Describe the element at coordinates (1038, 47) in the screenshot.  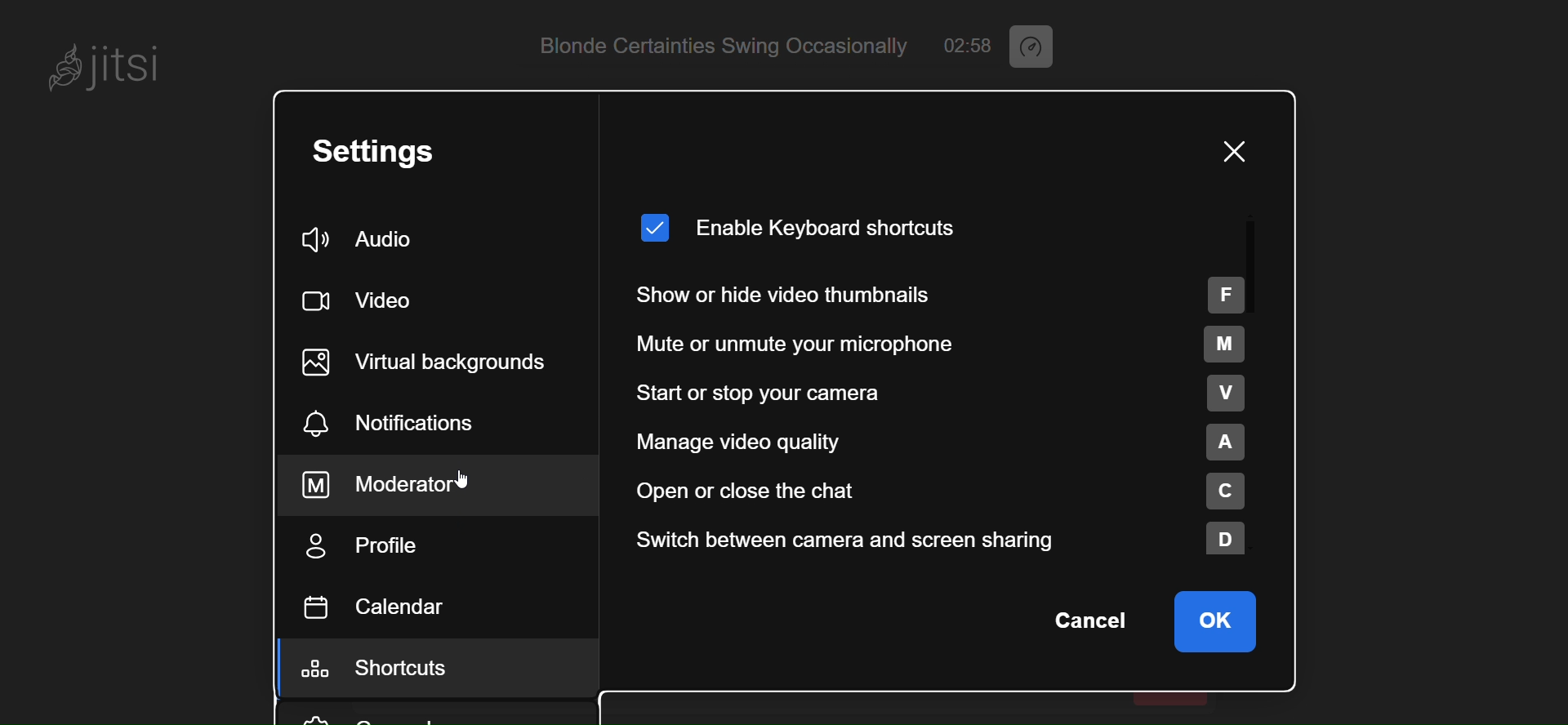
I see `performance setting` at that location.